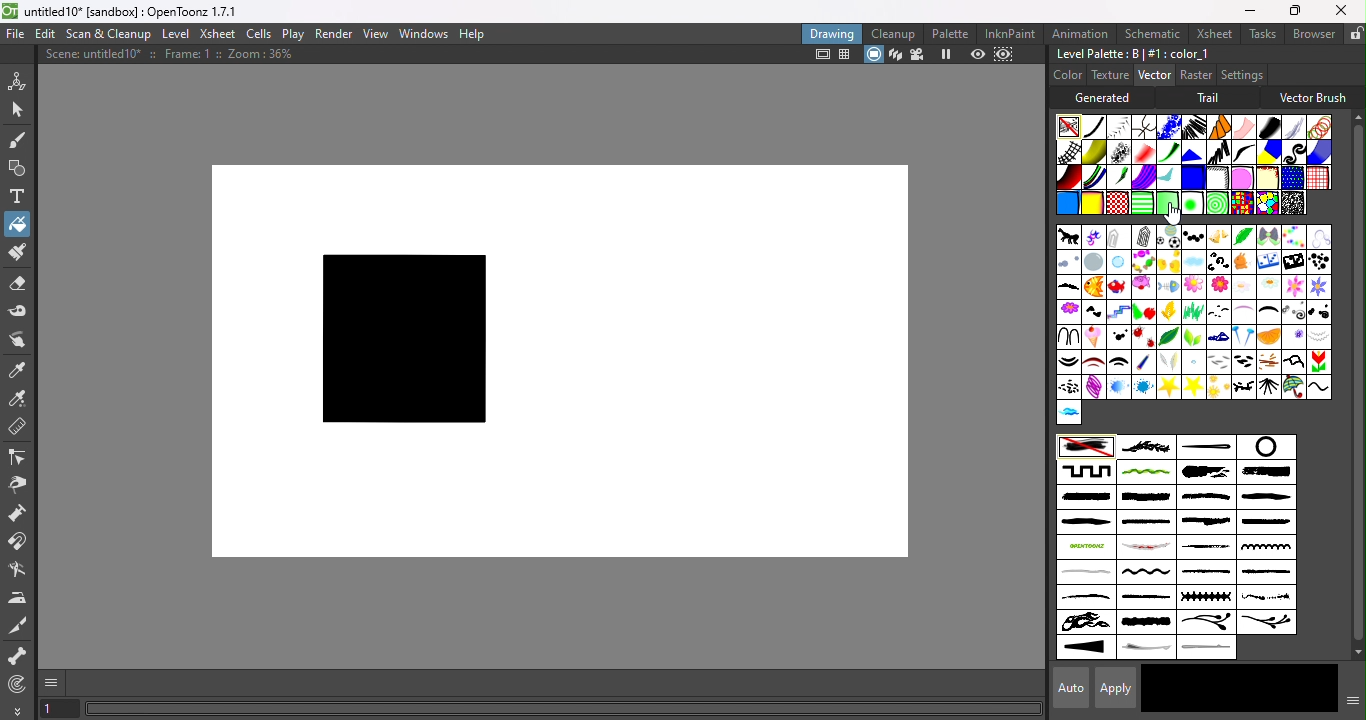 The image size is (1366, 720). I want to click on Spring, so click(1093, 387).